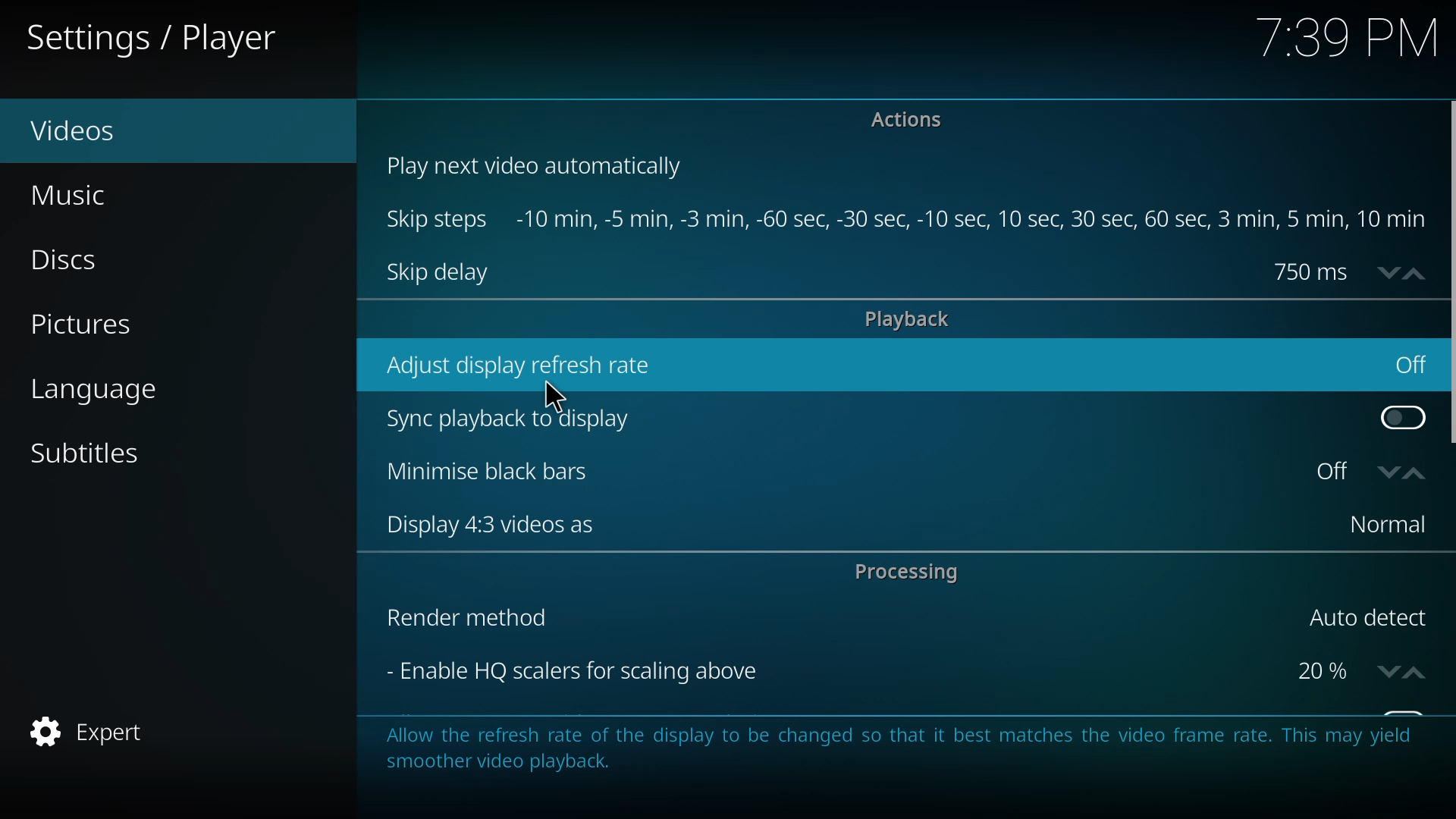 This screenshot has height=819, width=1456. Describe the element at coordinates (1454, 275) in the screenshot. I see `scroll bar` at that location.